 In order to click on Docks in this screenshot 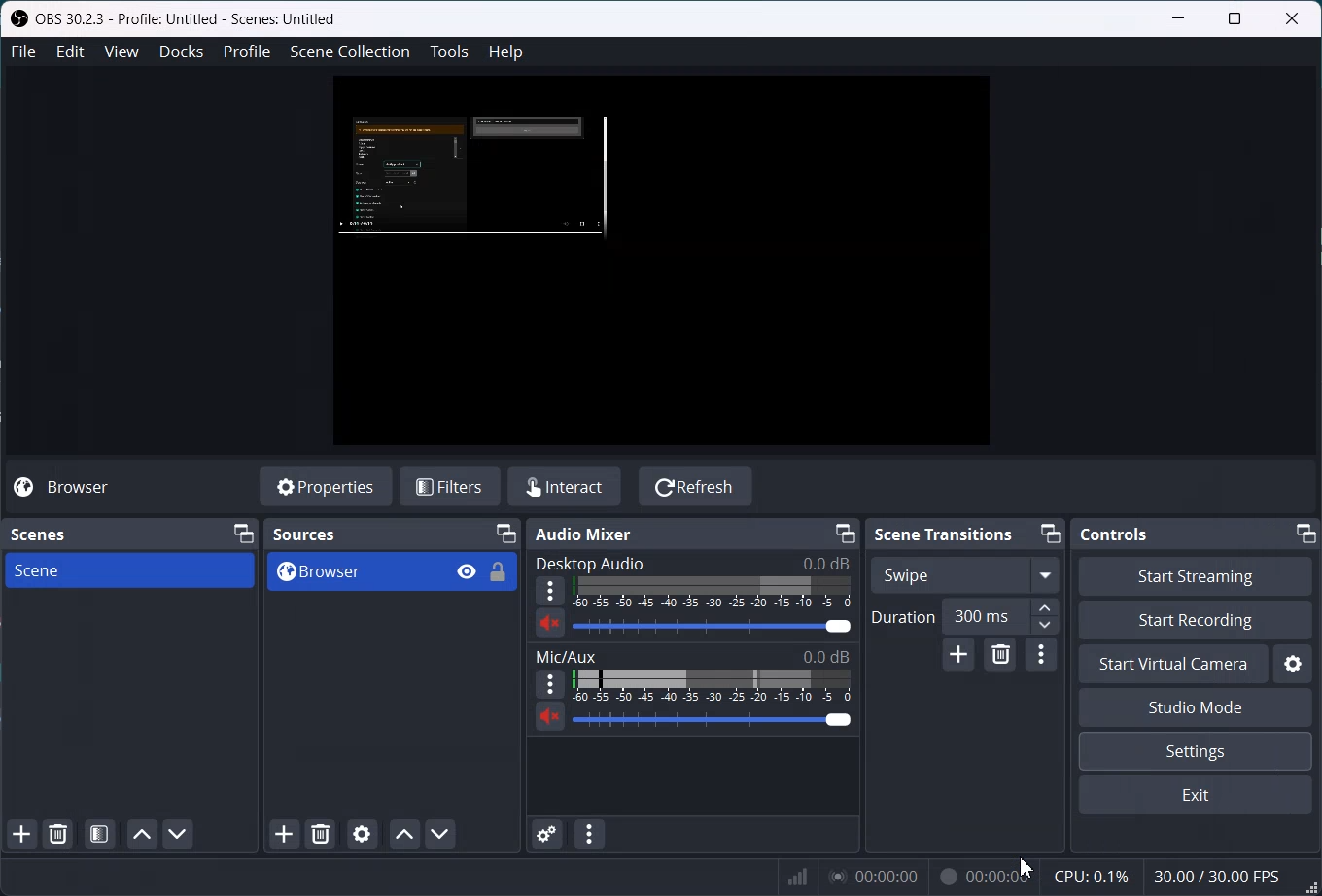, I will do `click(181, 52)`.